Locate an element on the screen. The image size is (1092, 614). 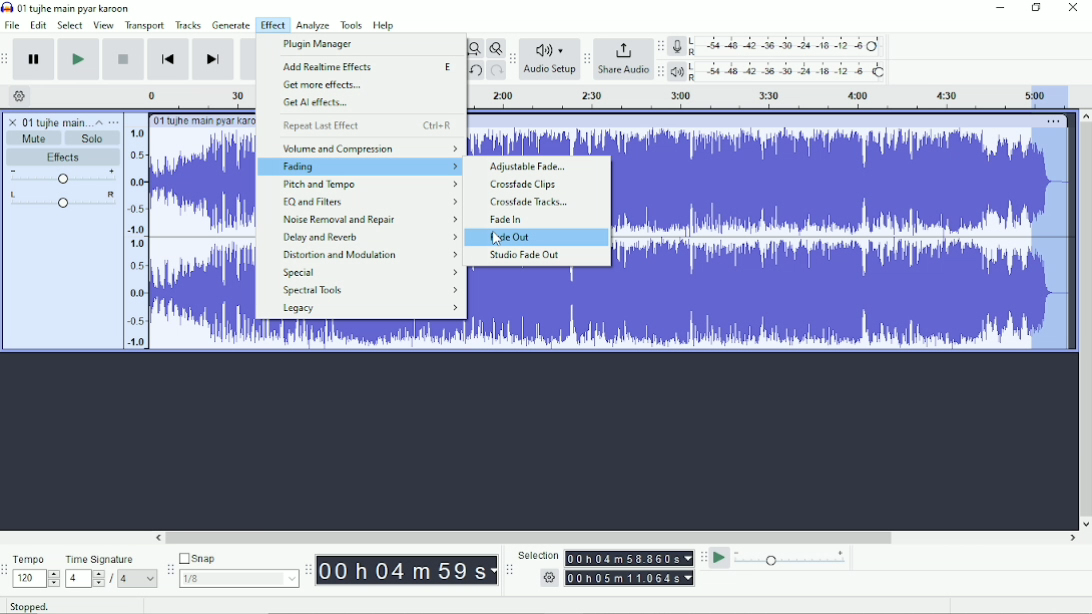
Help is located at coordinates (385, 25).